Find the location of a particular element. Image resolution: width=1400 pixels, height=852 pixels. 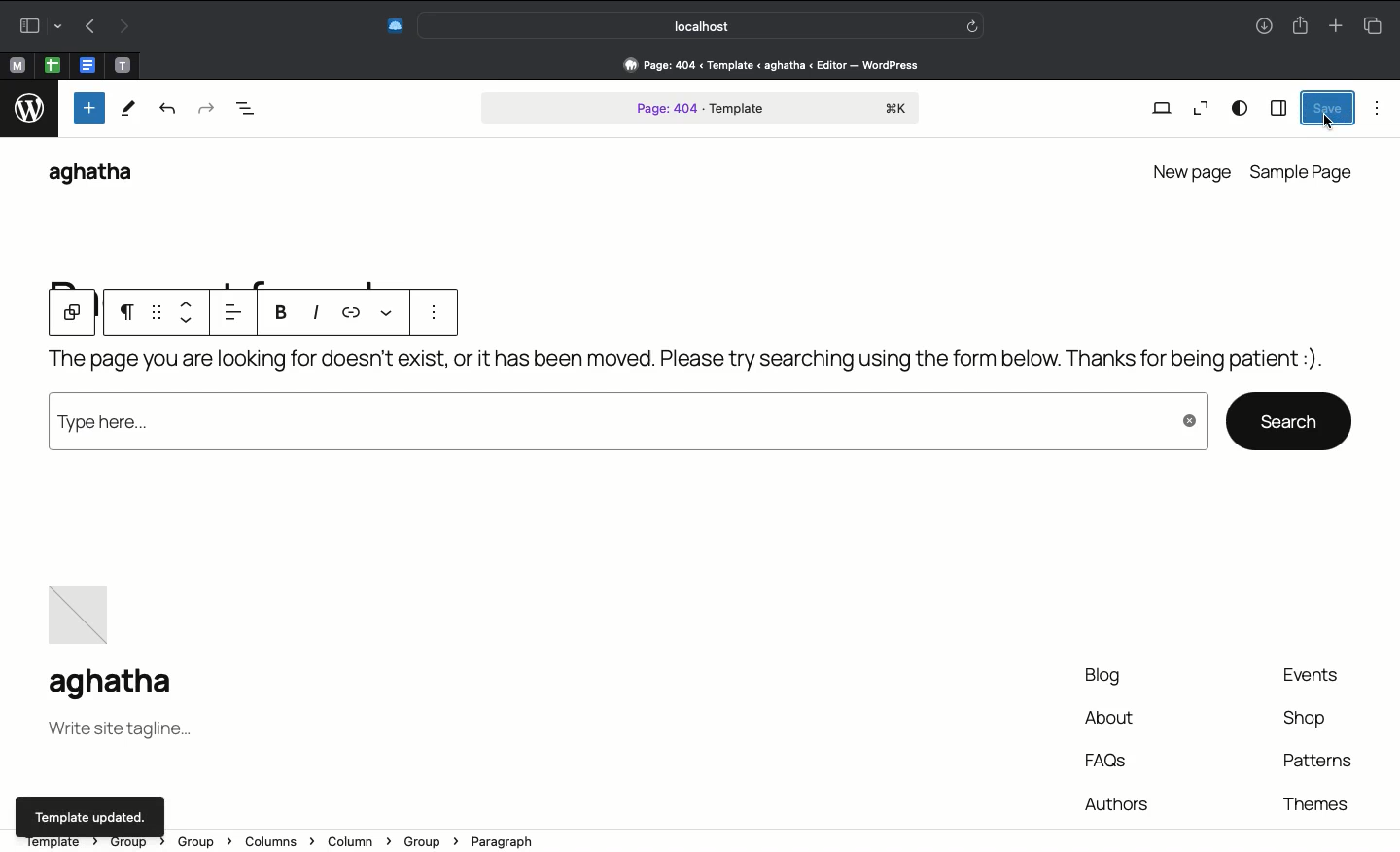

Sidebar is located at coordinates (1277, 107).